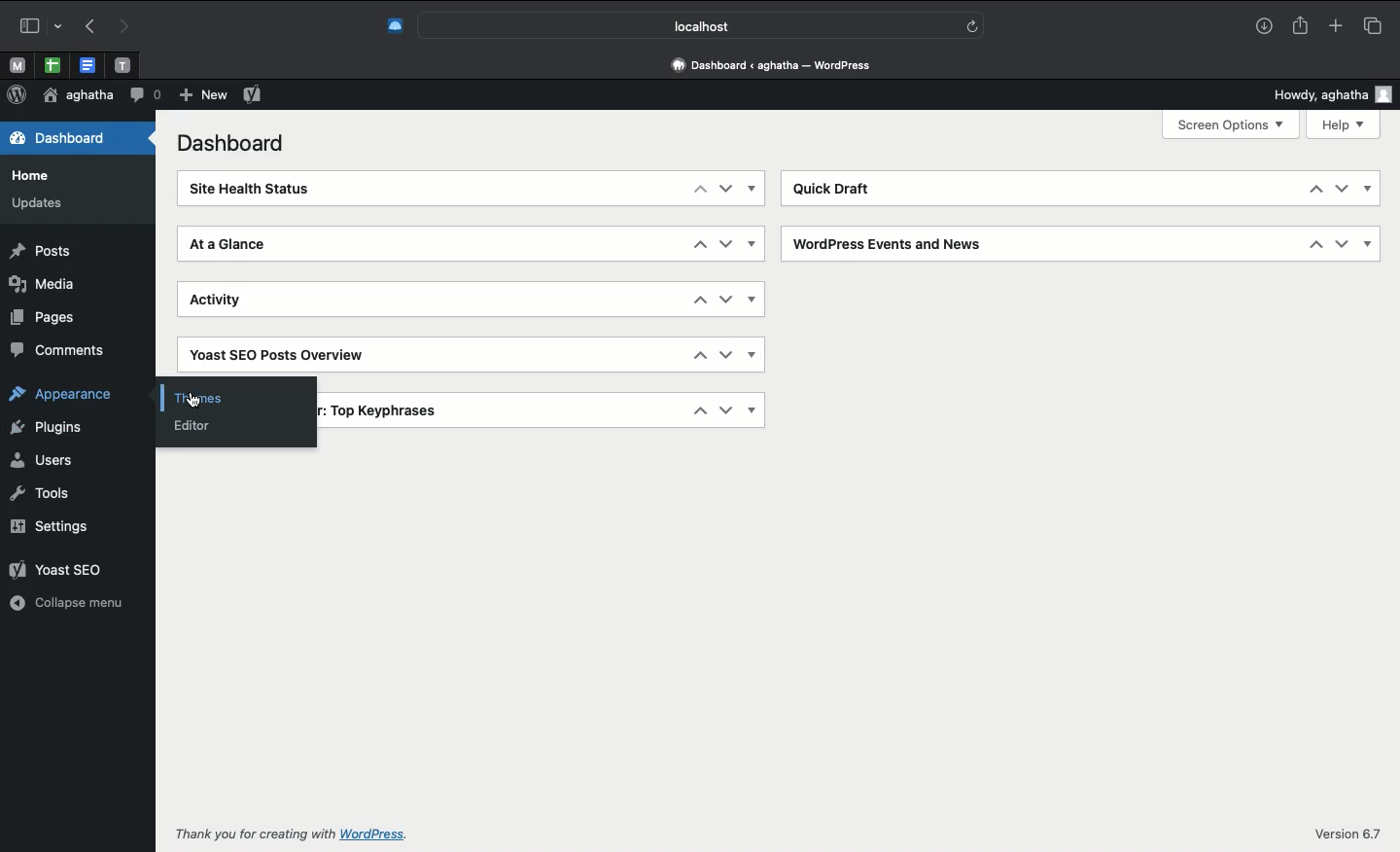 The width and height of the screenshot is (1400, 852). I want to click on New tab, so click(1336, 27).